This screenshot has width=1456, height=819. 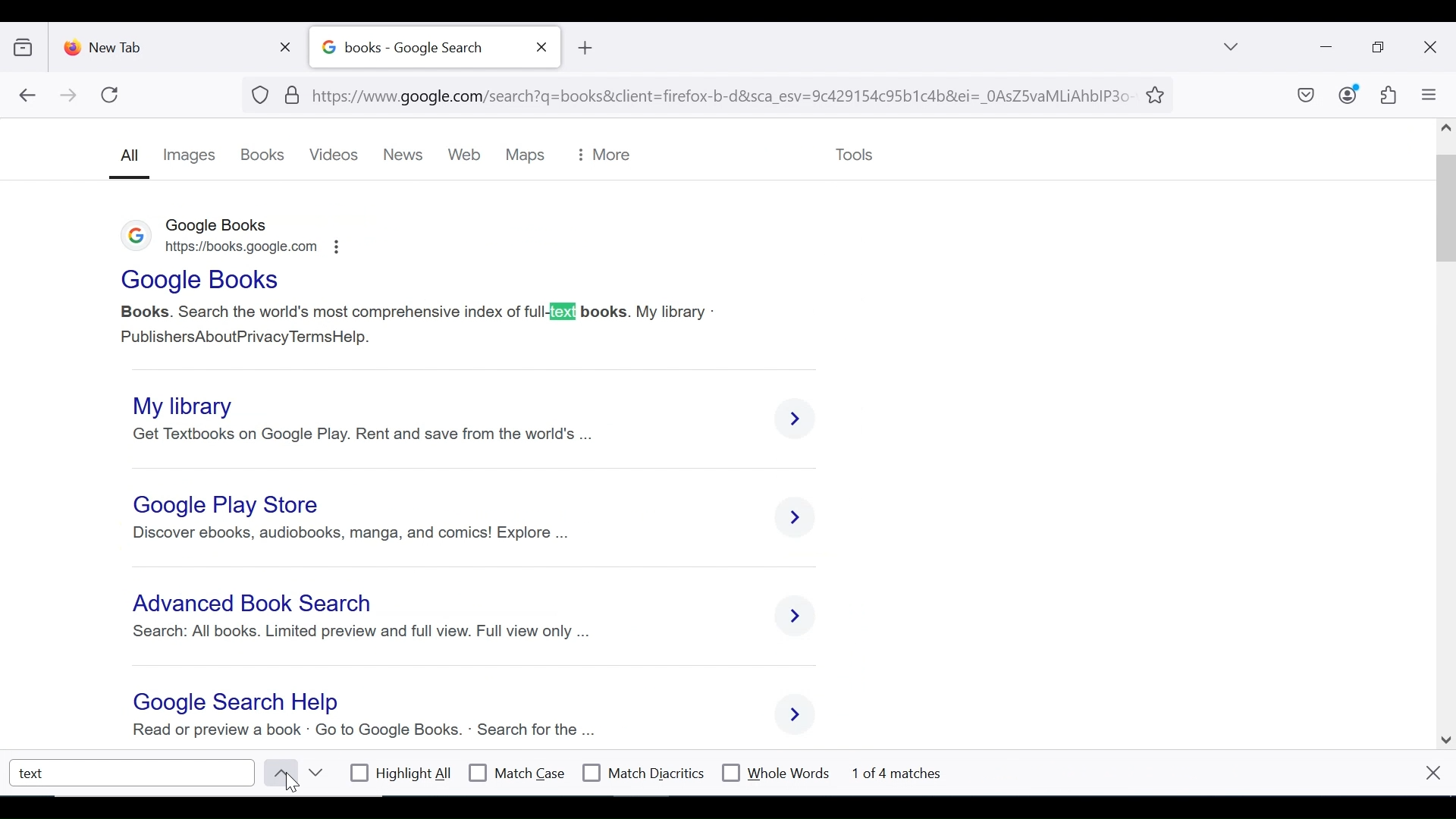 I want to click on next, so click(x=315, y=773).